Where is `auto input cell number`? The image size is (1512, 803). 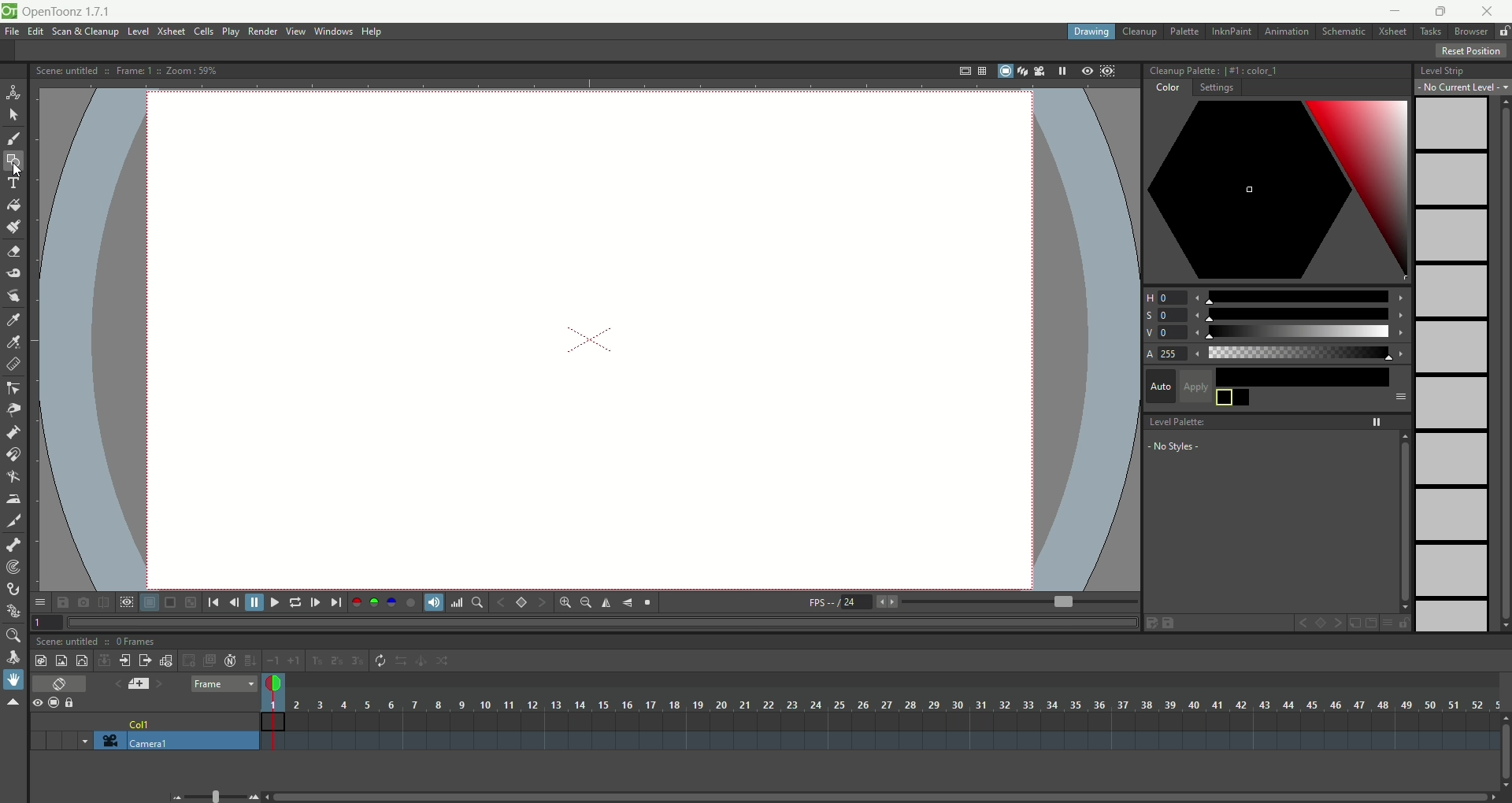
auto input cell number is located at coordinates (231, 661).